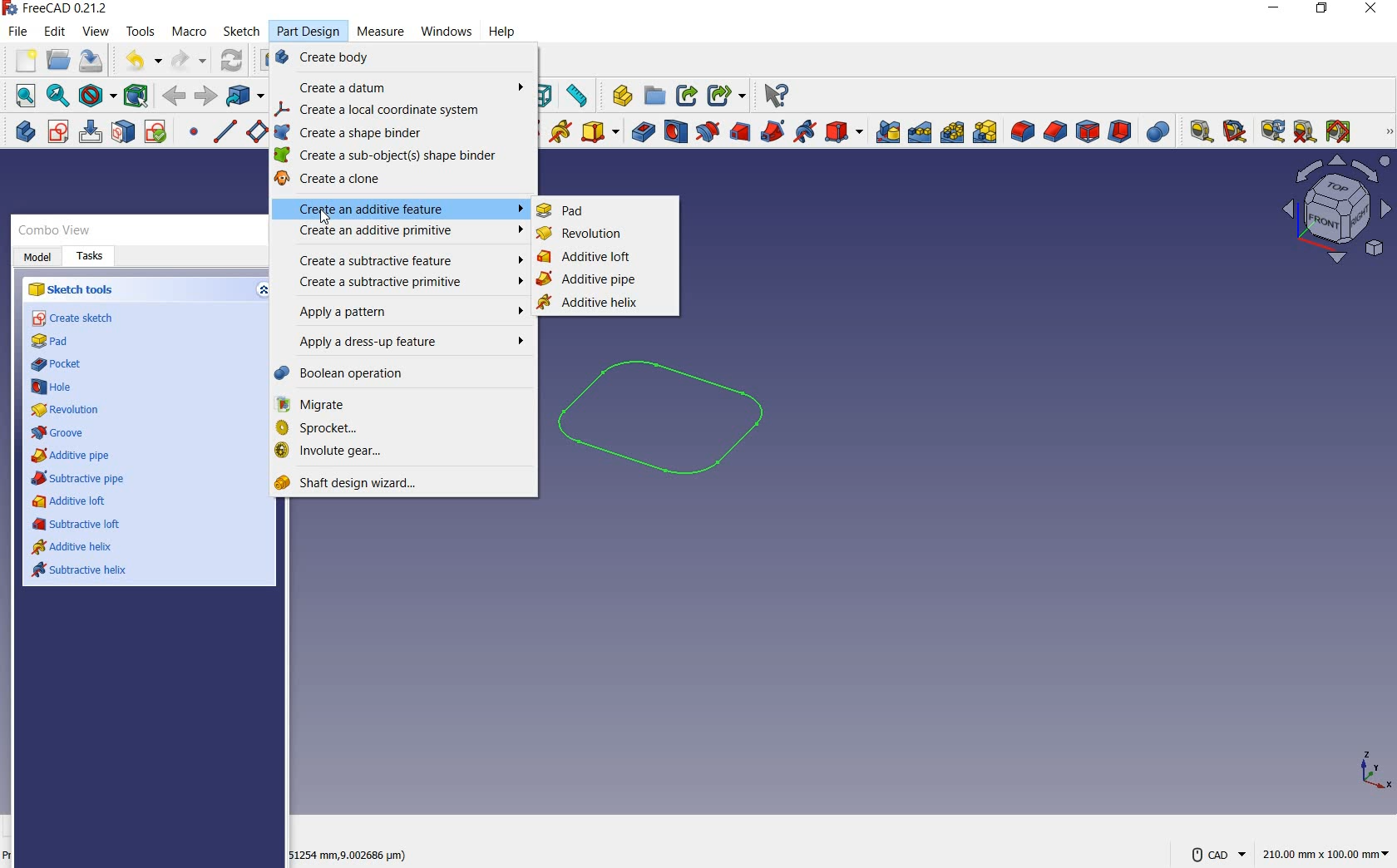  I want to click on fillet, so click(1023, 132).